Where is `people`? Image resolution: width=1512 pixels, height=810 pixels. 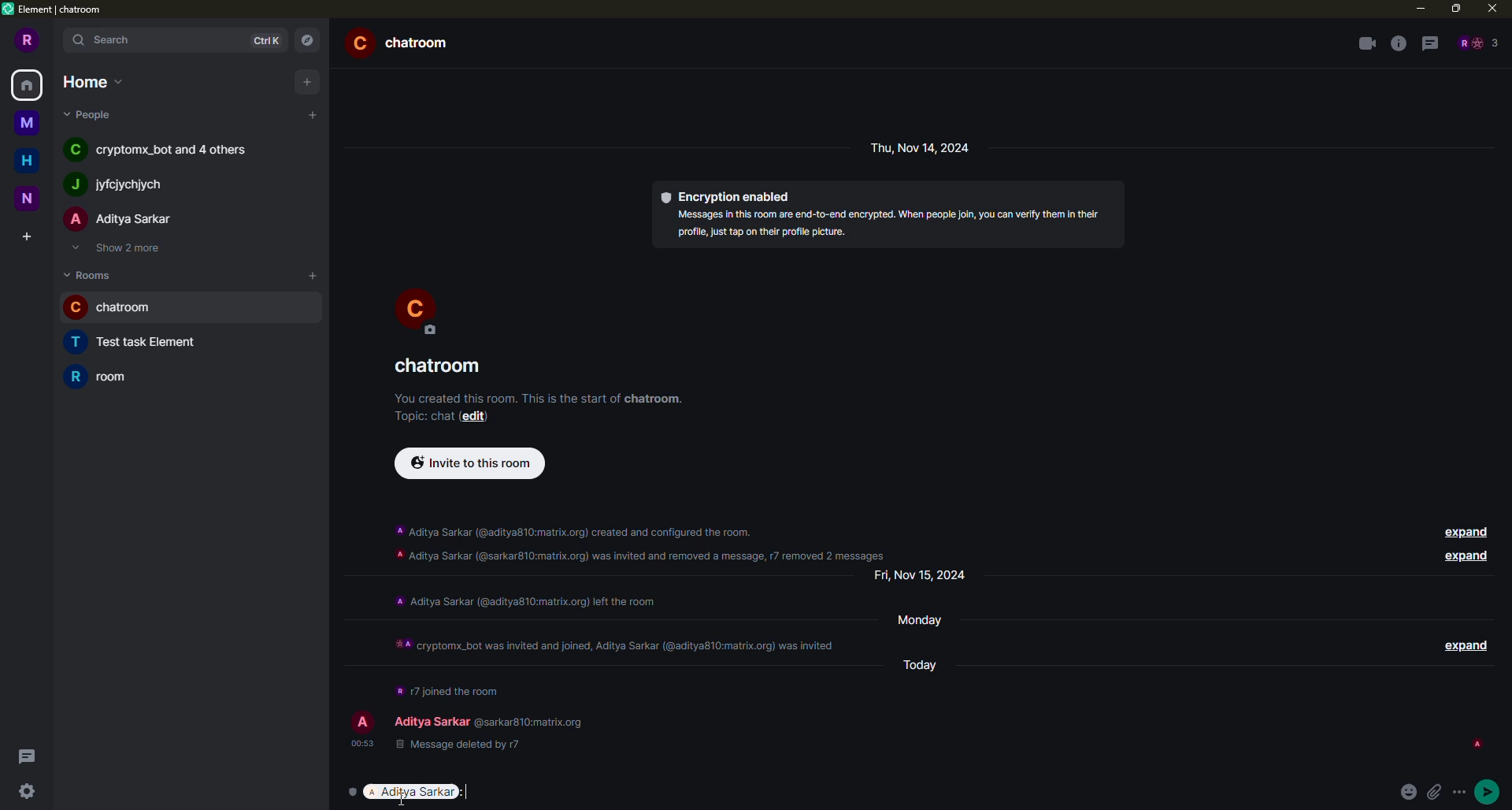
people is located at coordinates (121, 220).